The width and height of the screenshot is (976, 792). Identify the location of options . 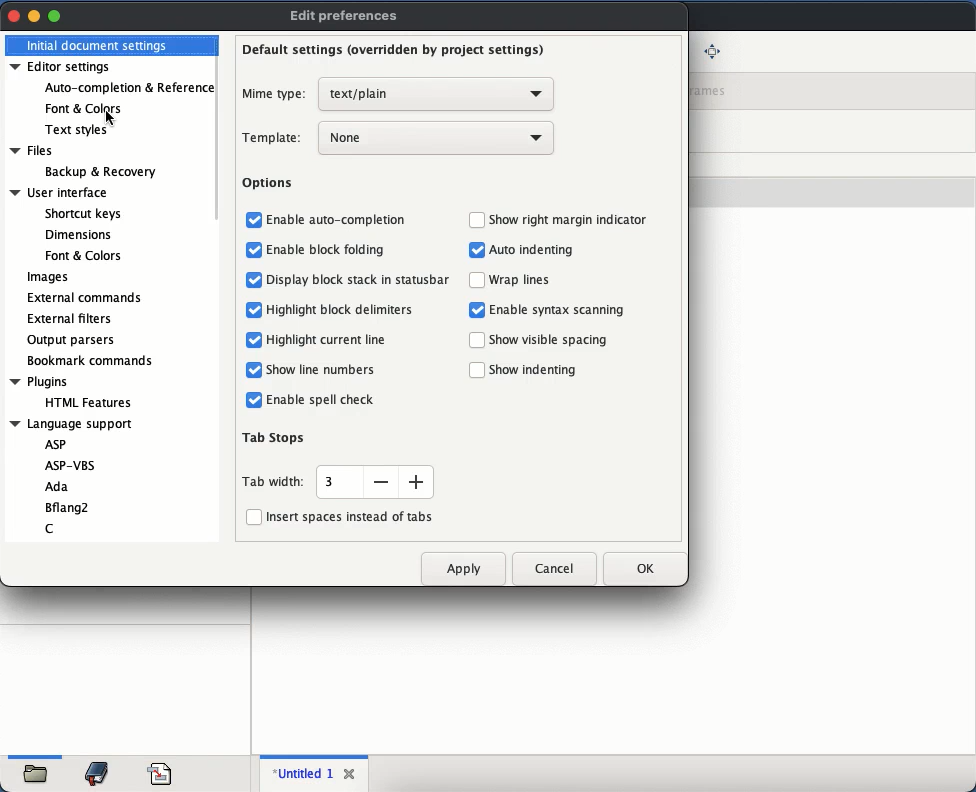
(271, 186).